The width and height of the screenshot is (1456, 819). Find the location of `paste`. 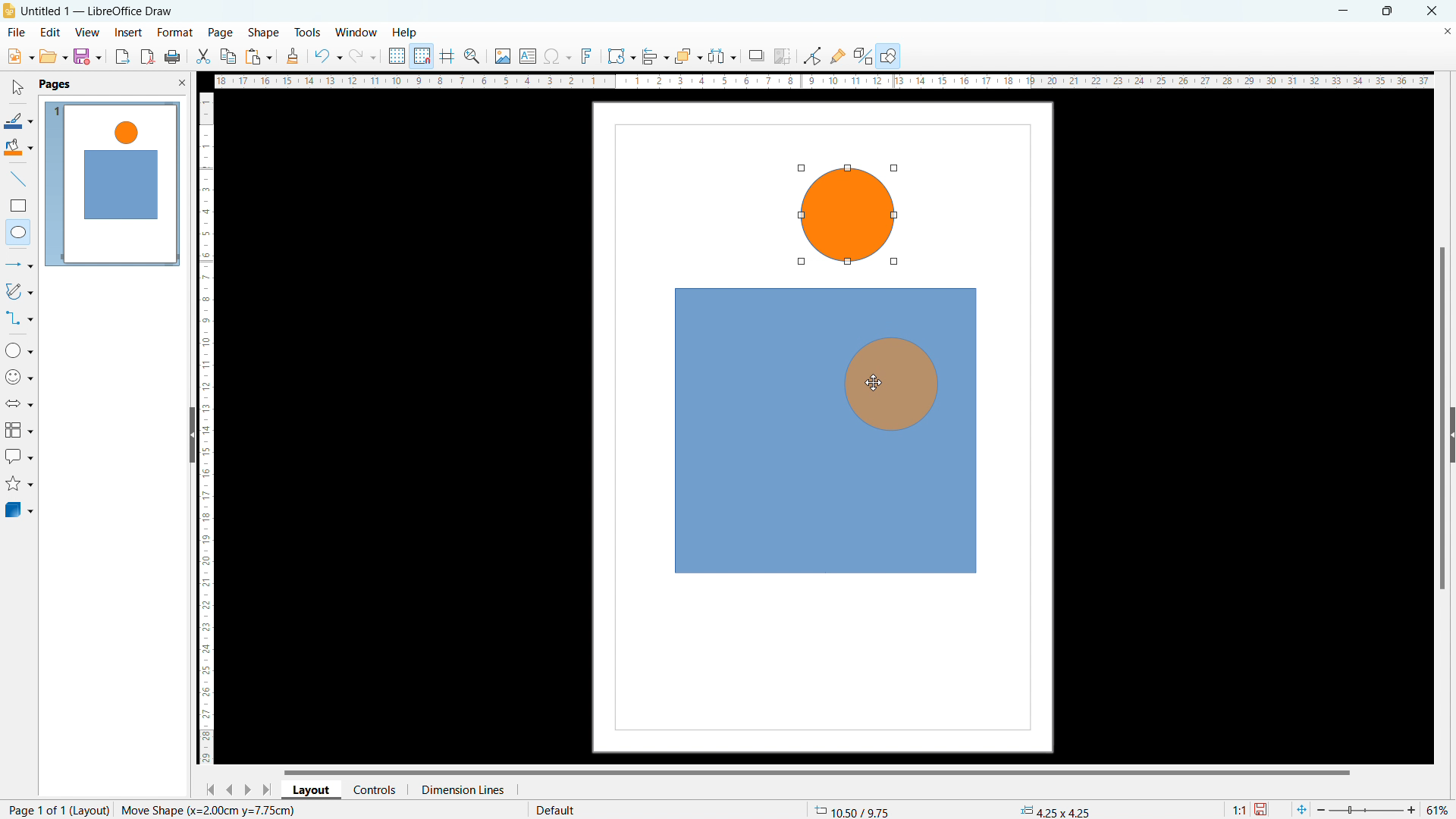

paste is located at coordinates (259, 56).